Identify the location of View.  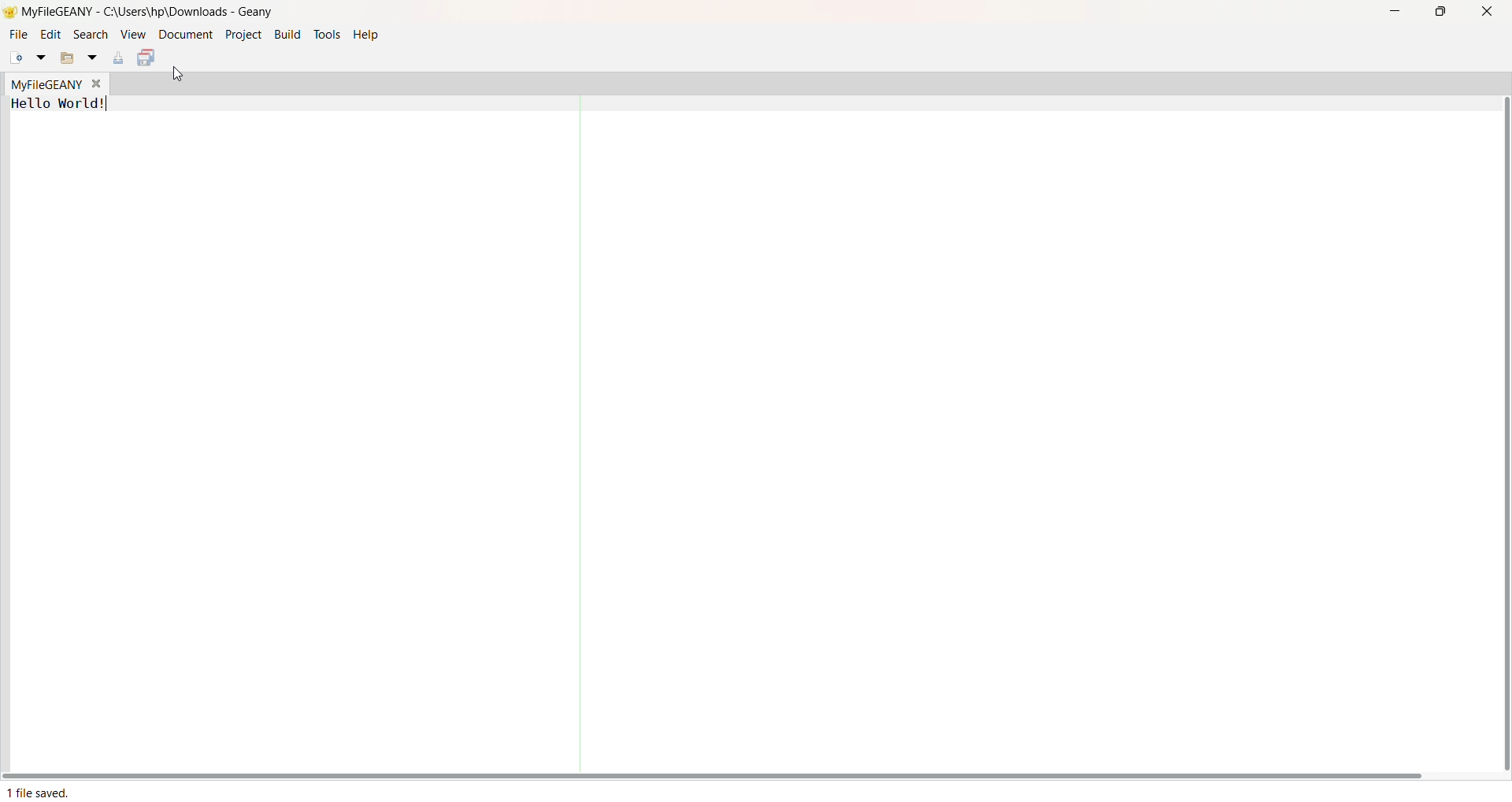
(132, 35).